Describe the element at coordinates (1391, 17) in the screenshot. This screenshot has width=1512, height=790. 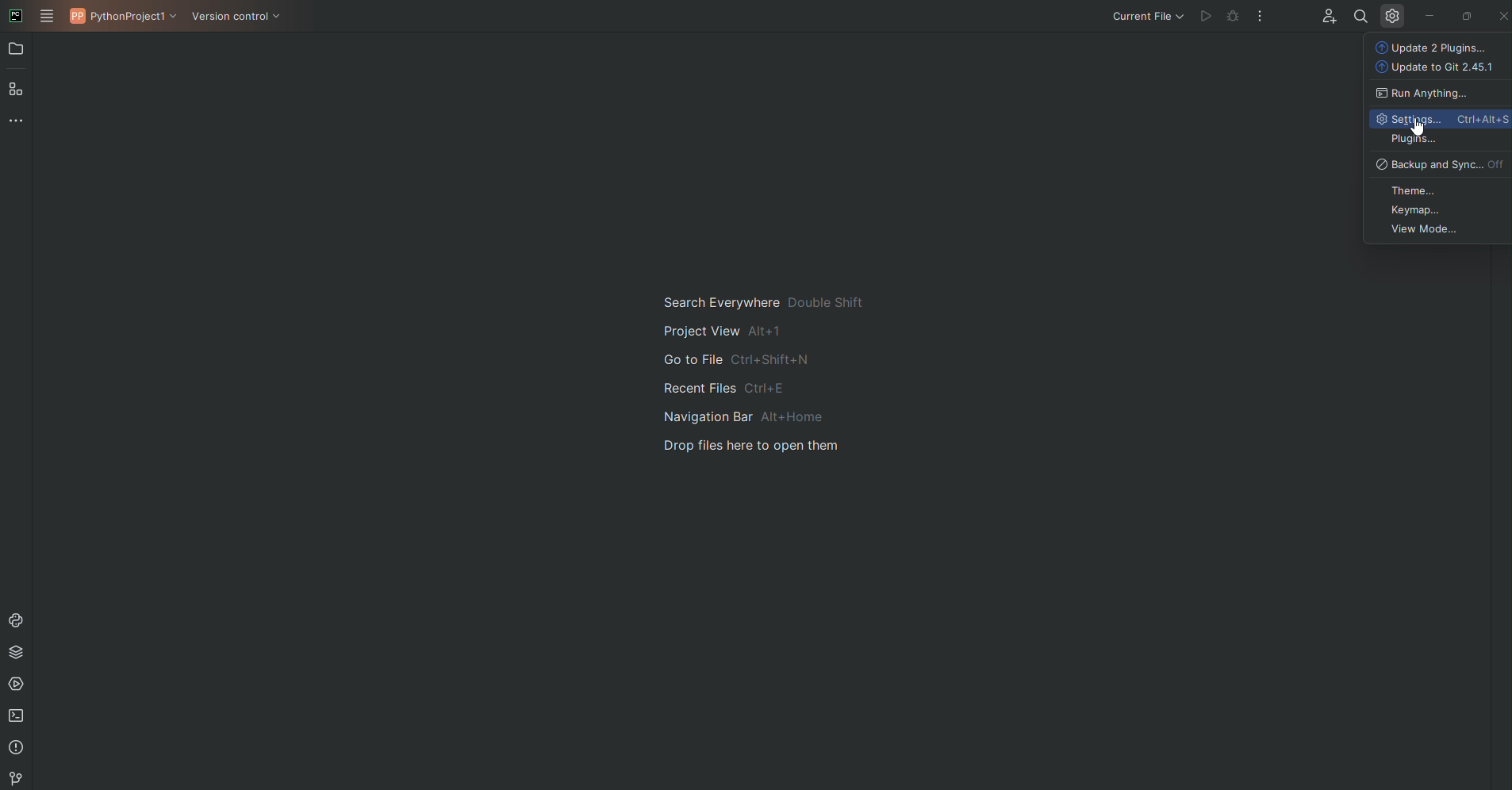
I see `Settings` at that location.